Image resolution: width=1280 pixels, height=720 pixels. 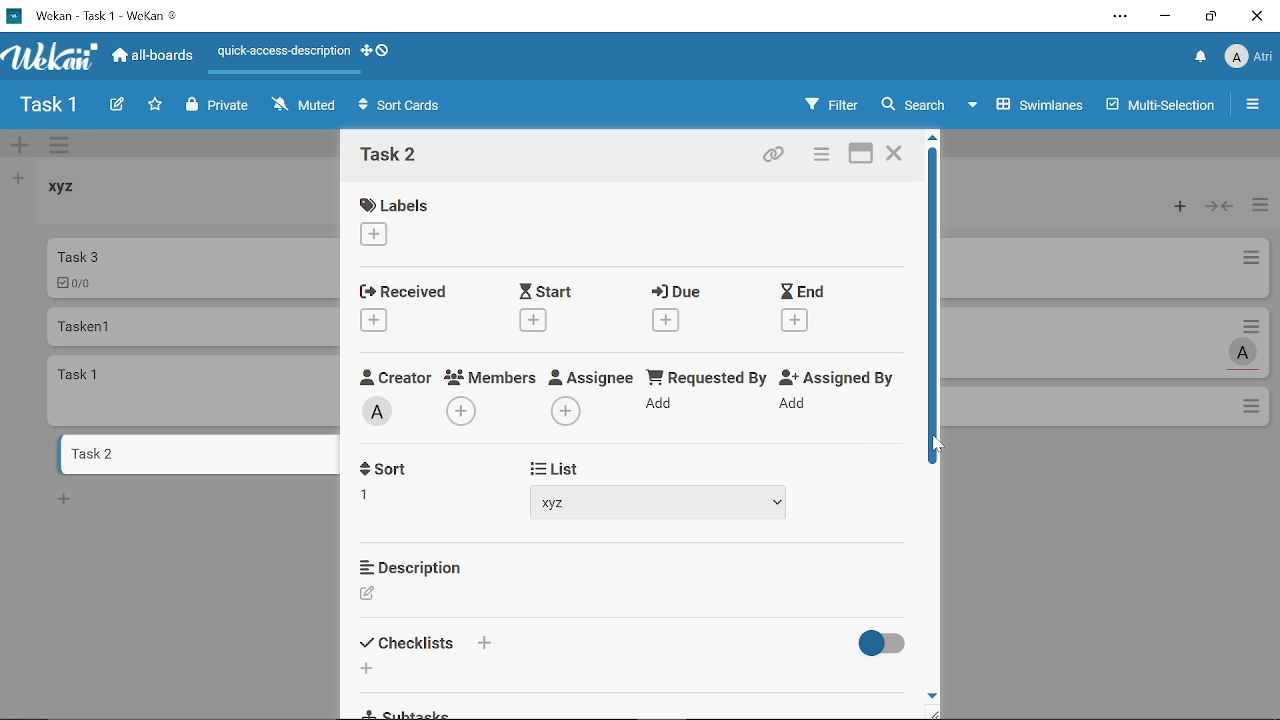 What do you see at coordinates (116, 106) in the screenshot?
I see `Create` at bounding box center [116, 106].